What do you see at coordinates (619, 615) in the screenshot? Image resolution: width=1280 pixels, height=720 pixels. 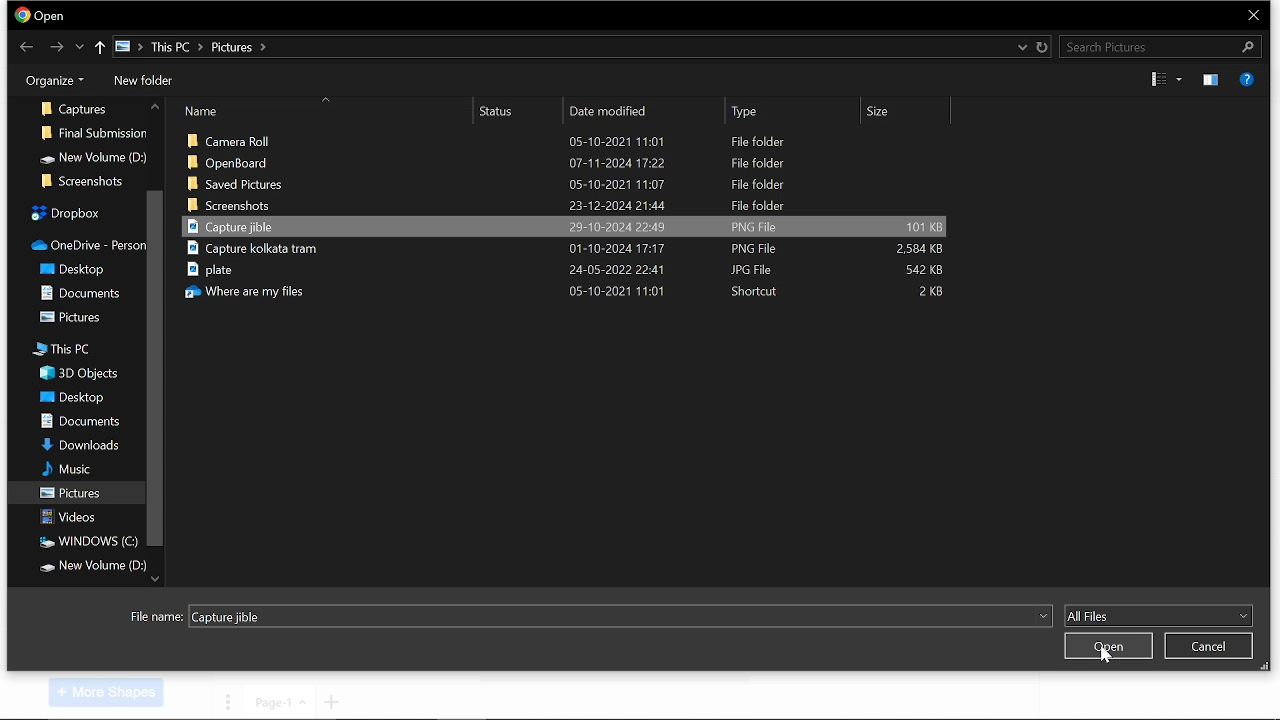 I see `file name` at bounding box center [619, 615].